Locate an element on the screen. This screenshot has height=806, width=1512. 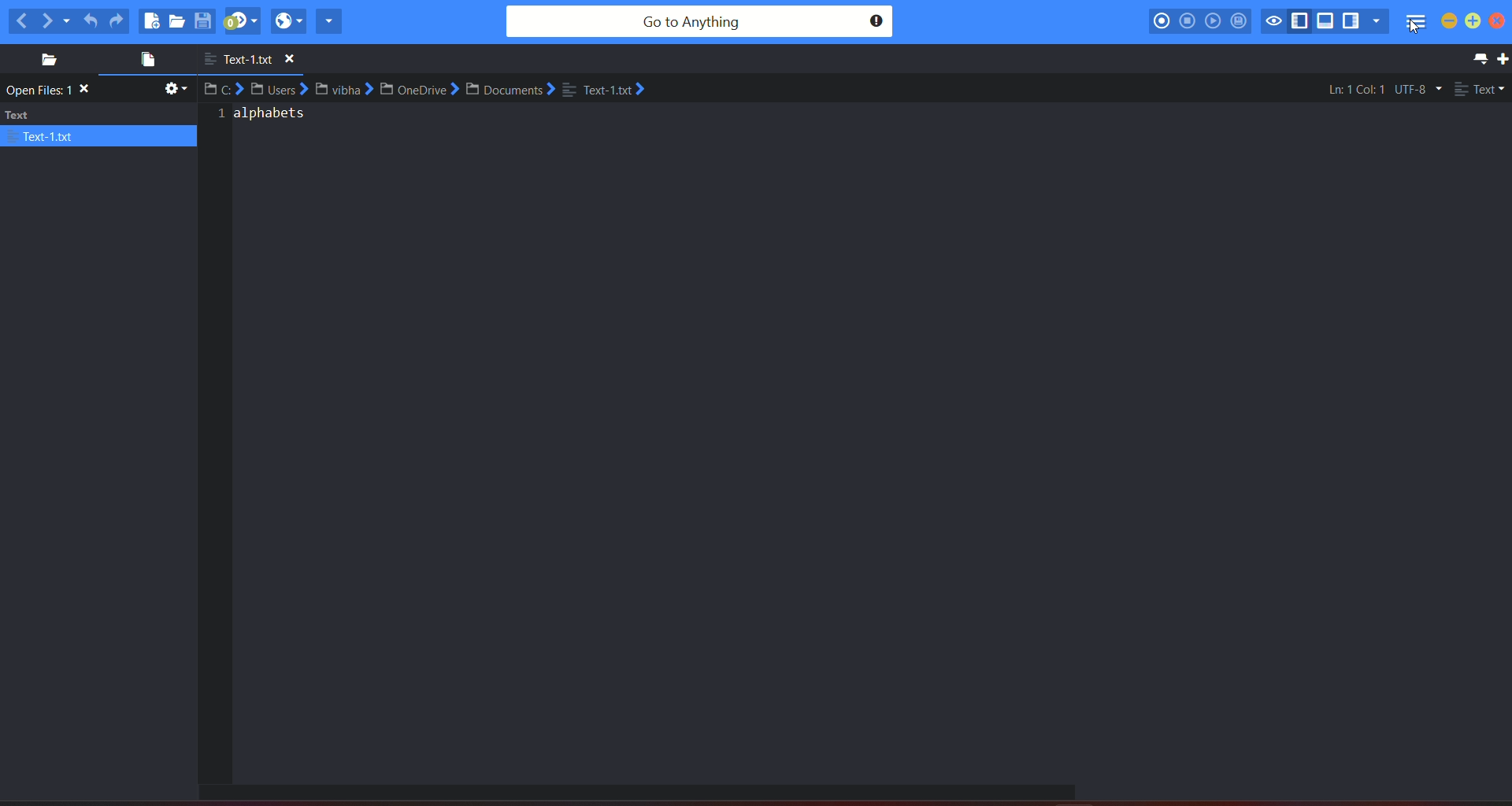
share current file is located at coordinates (329, 20).